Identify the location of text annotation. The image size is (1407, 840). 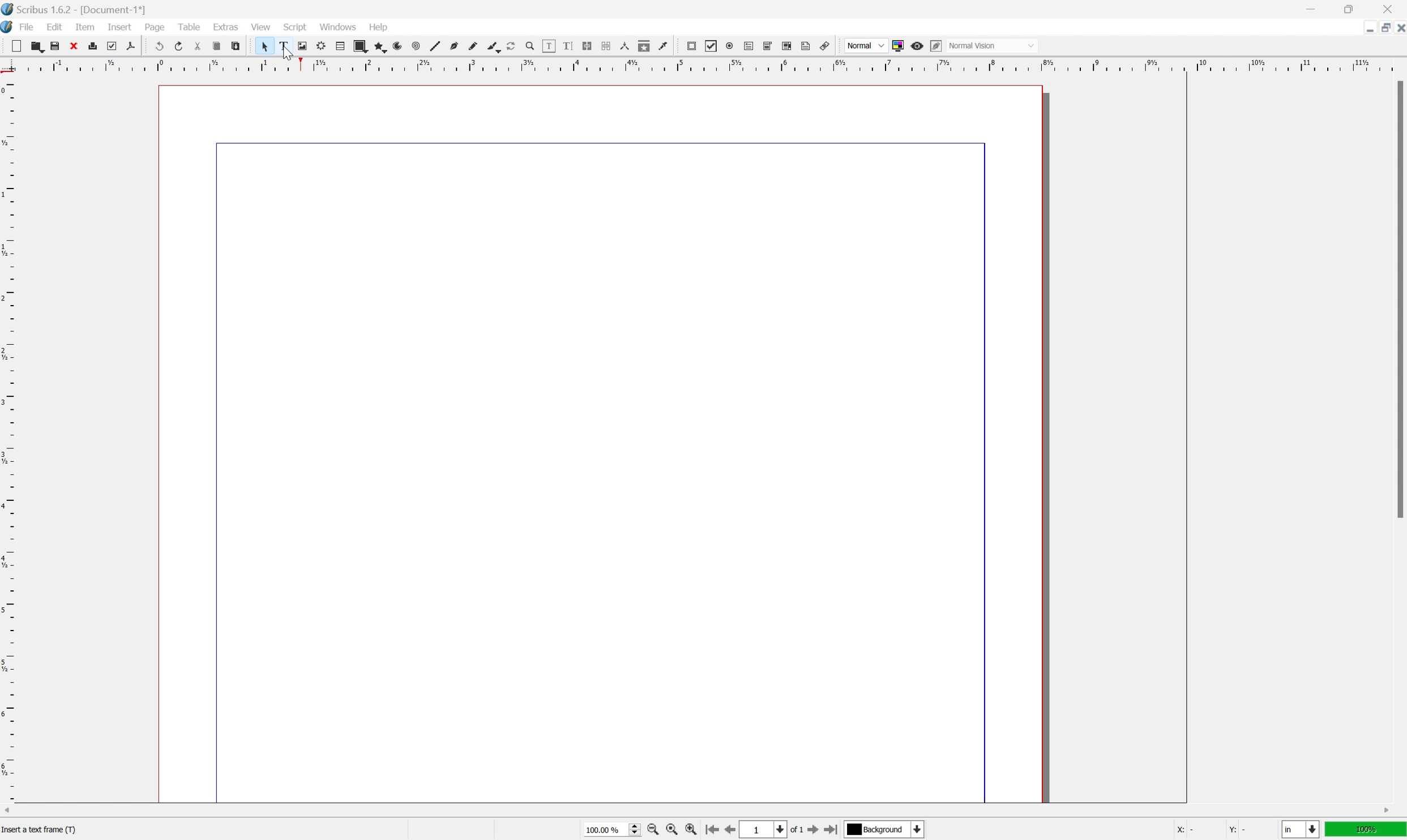
(806, 46).